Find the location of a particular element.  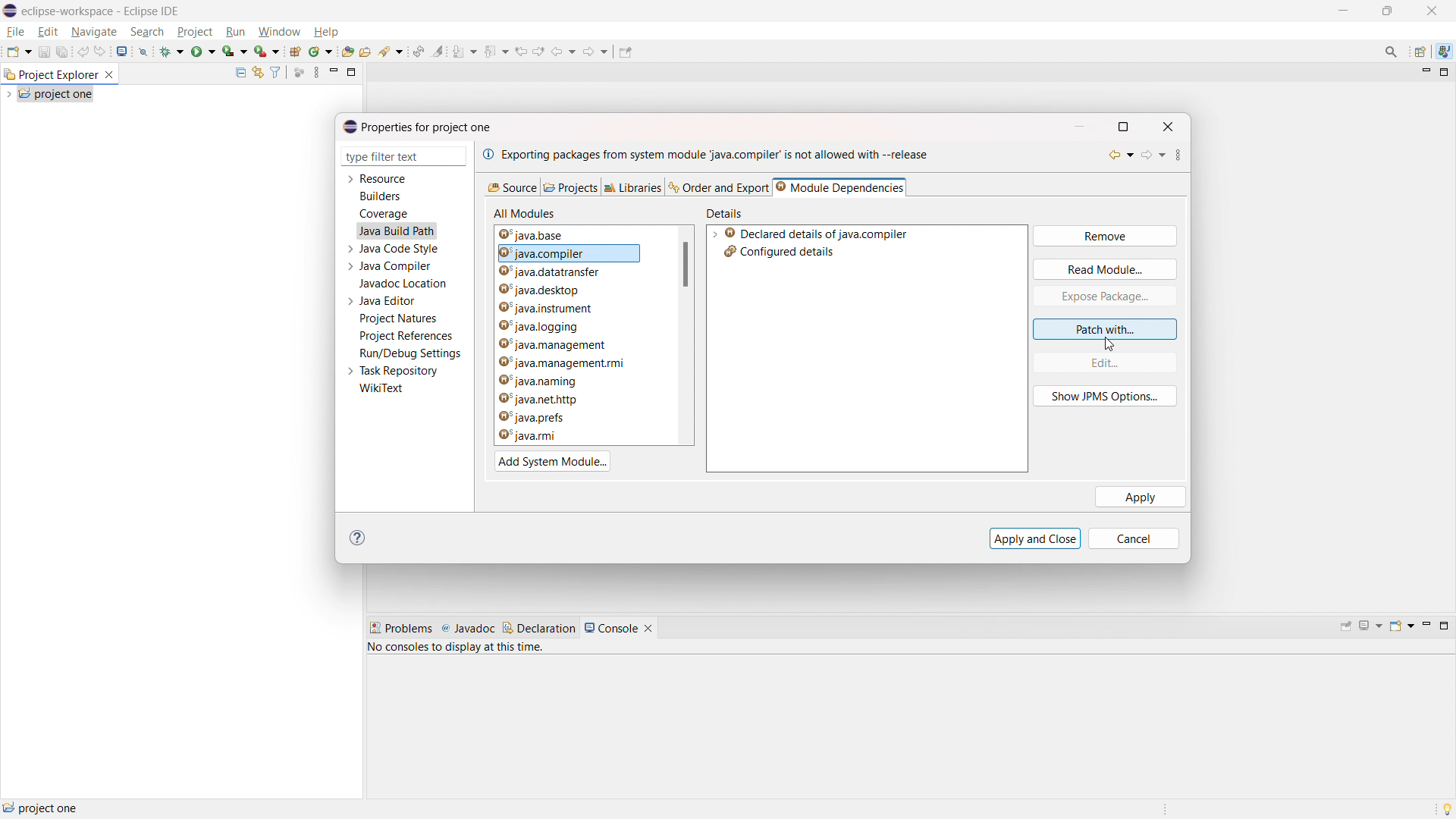

display selected console is located at coordinates (1372, 626).